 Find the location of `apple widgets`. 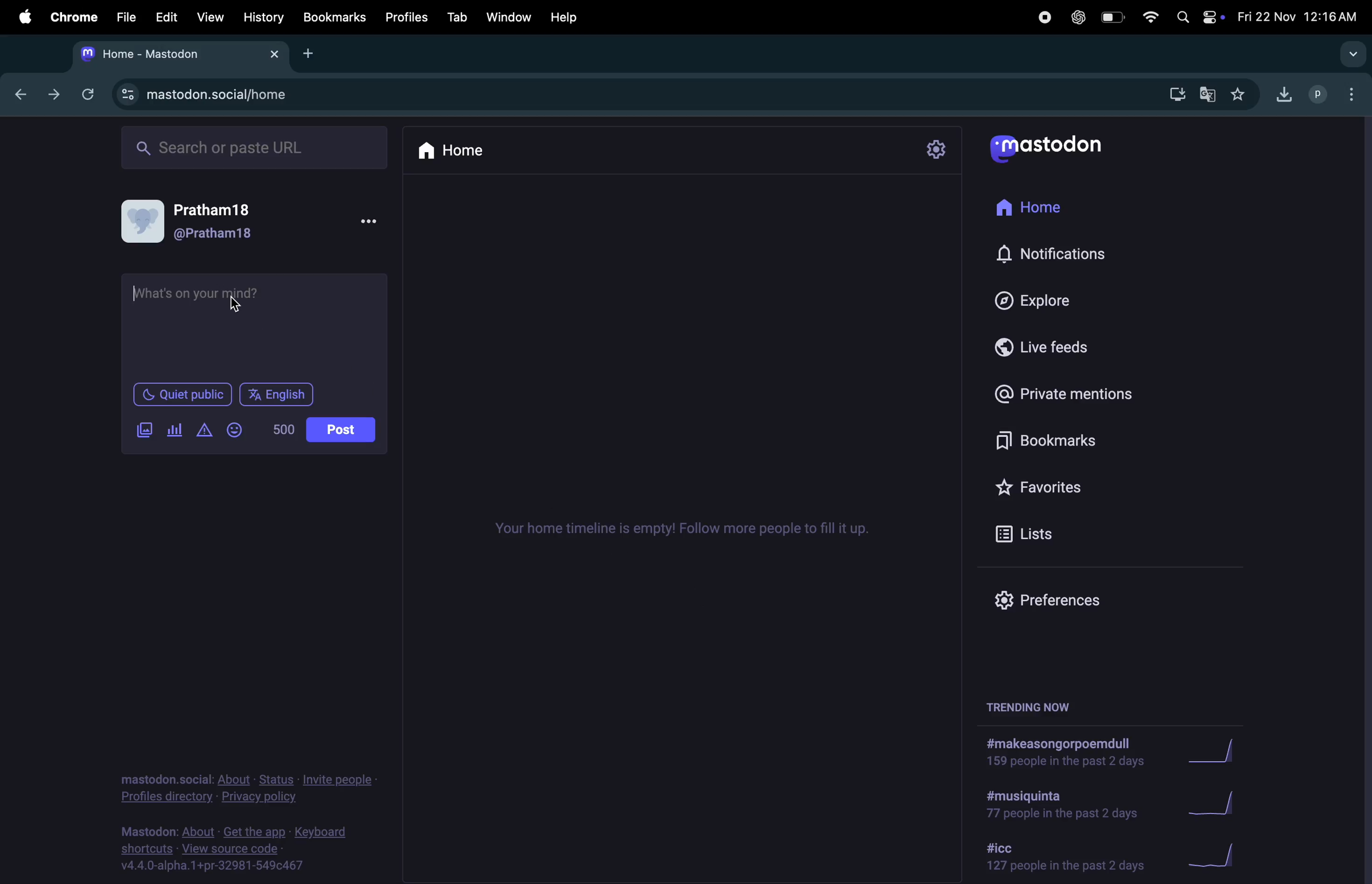

apple widgets is located at coordinates (1211, 18).